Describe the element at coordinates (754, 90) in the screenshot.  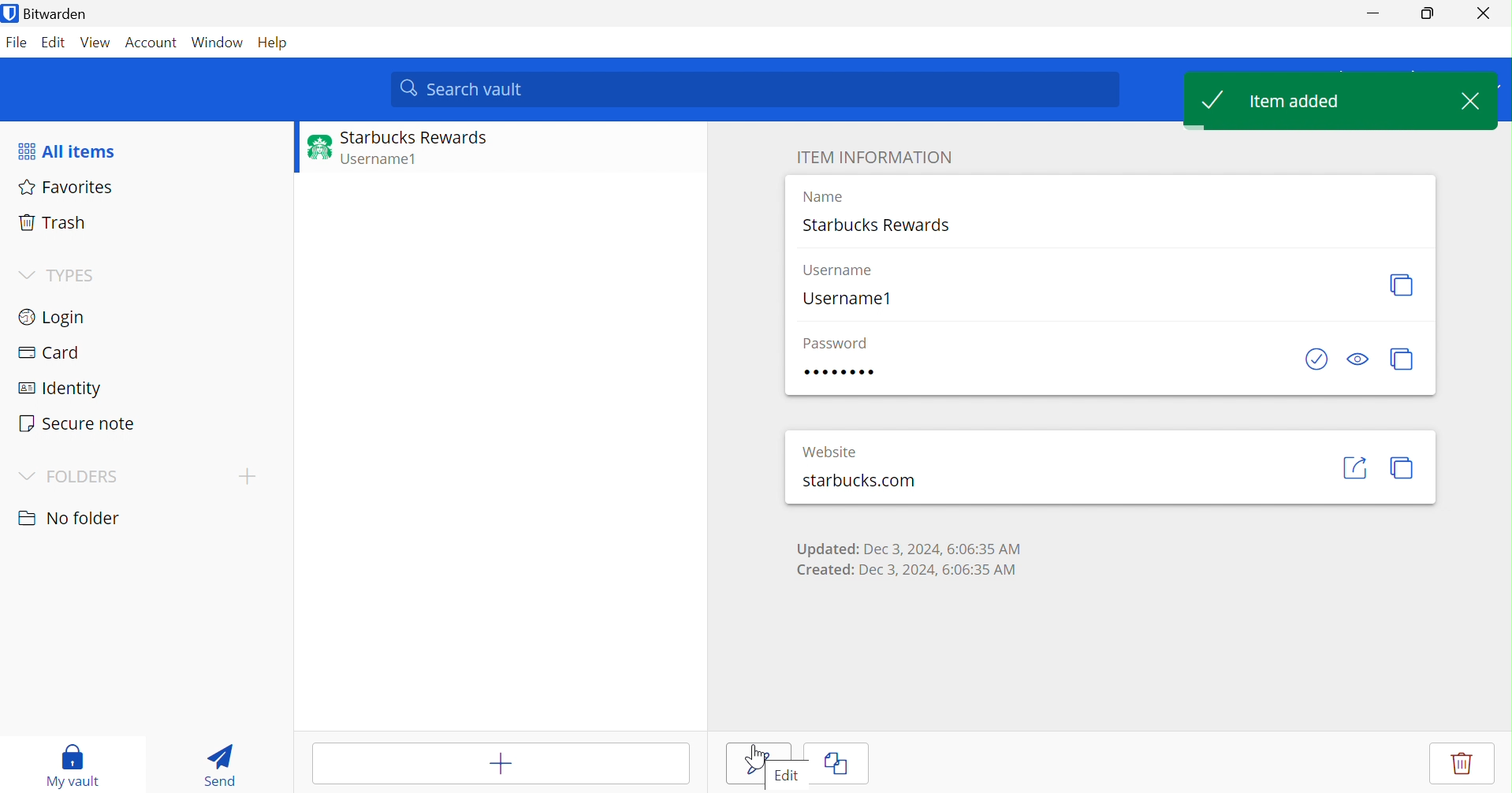
I see `Search vault` at that location.